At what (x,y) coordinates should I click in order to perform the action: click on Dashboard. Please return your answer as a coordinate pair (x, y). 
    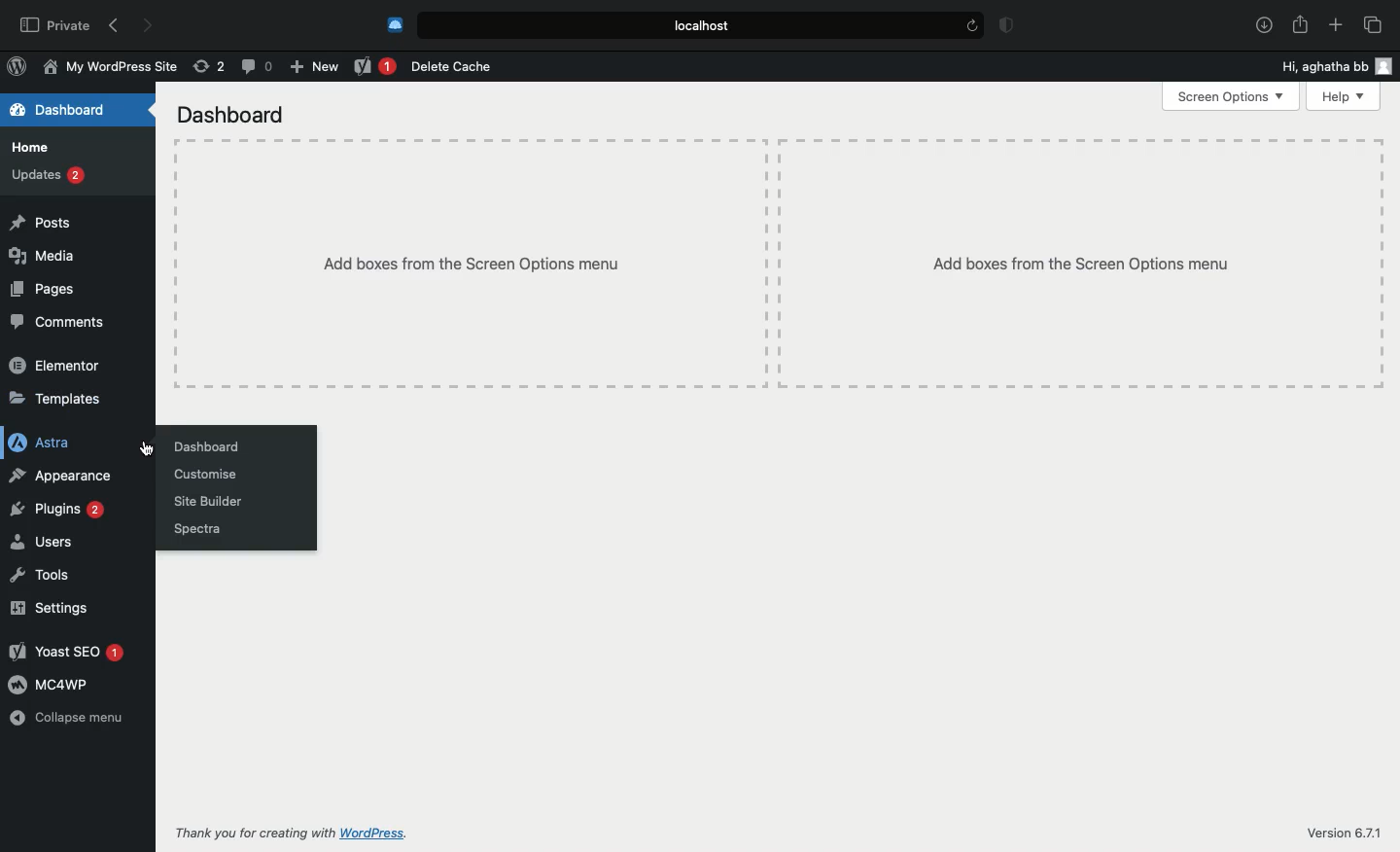
    Looking at the image, I should click on (231, 113).